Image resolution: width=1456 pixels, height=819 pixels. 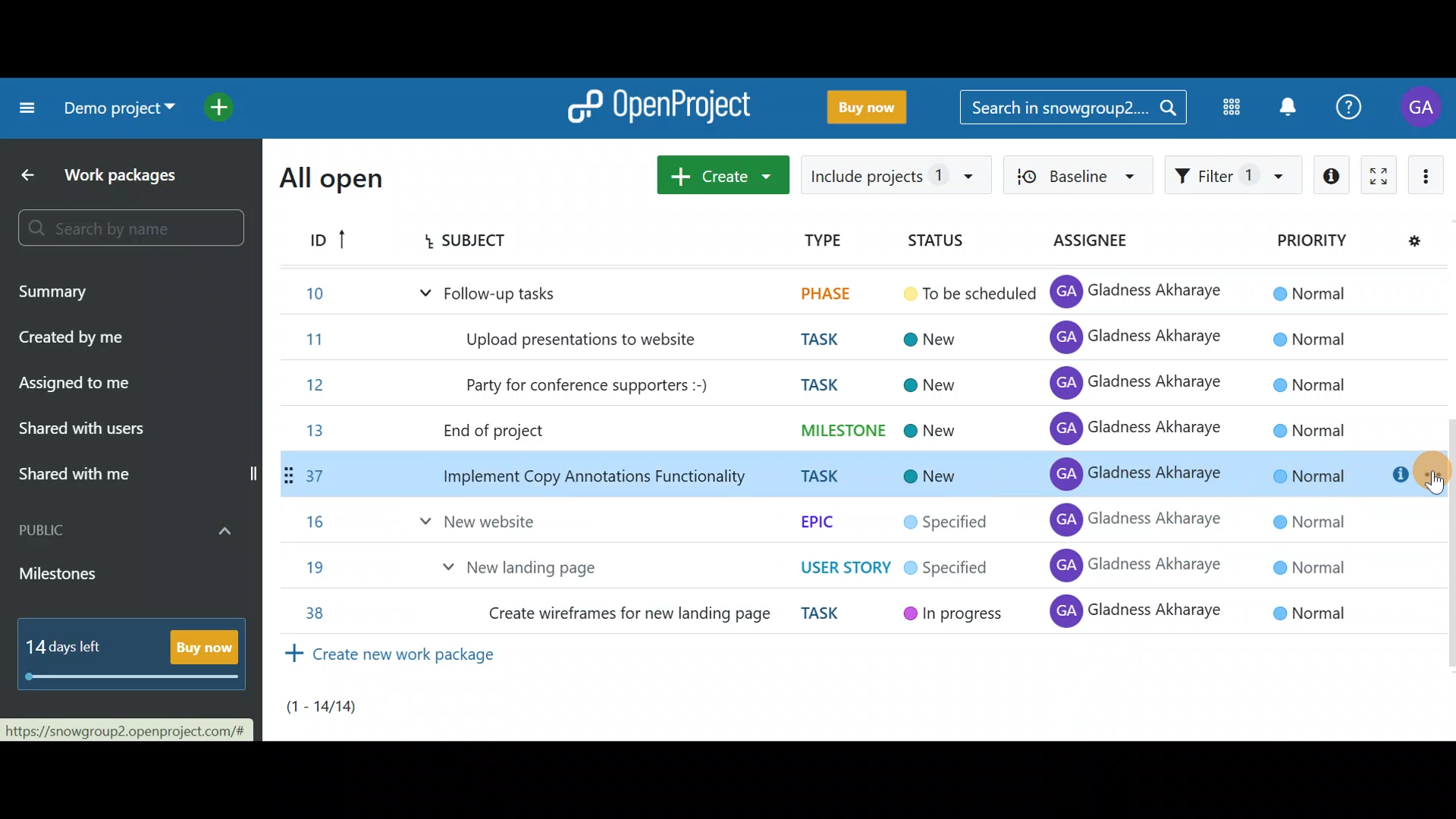 I want to click on GA Gladness Akharaye, so click(x=1136, y=611).